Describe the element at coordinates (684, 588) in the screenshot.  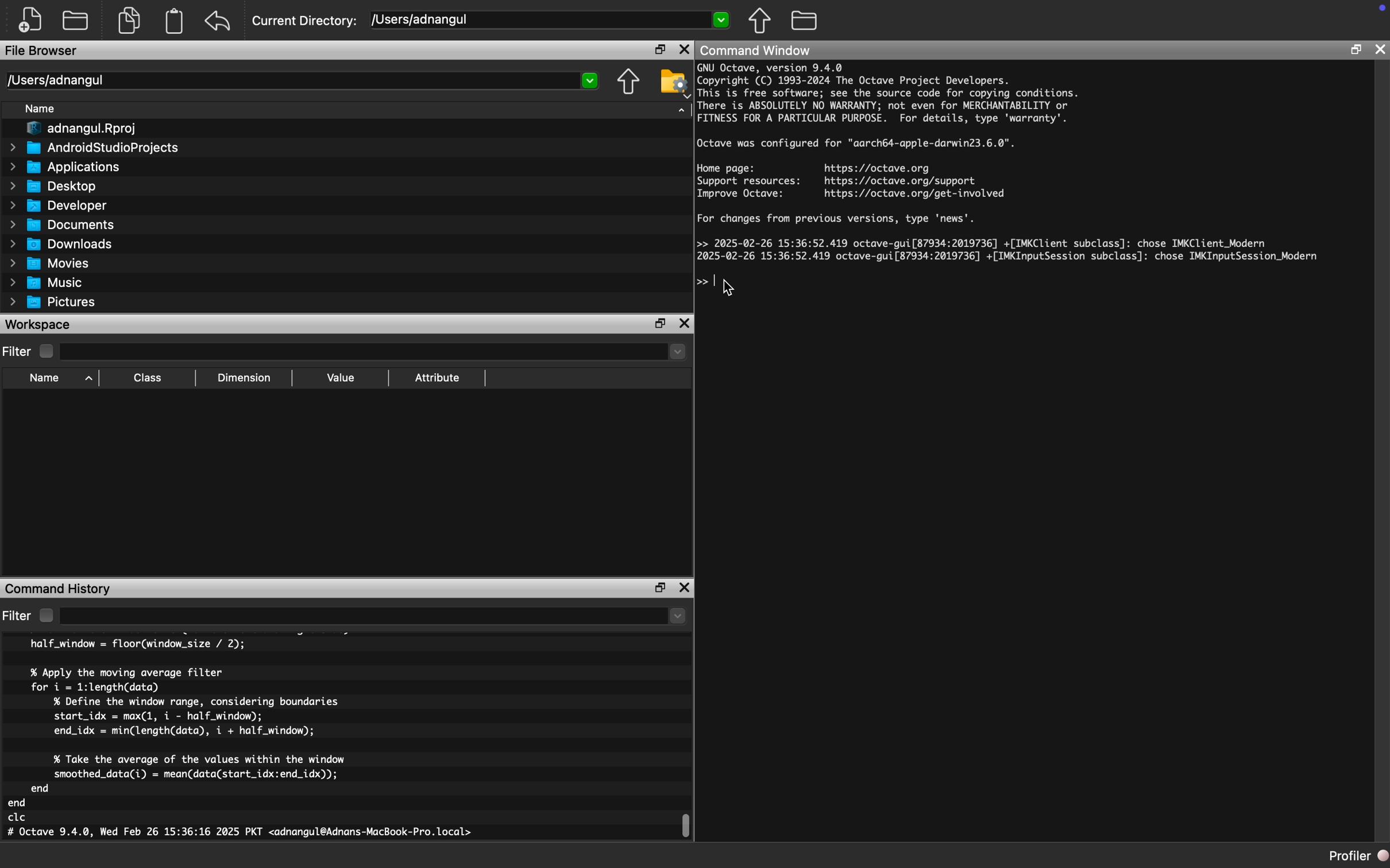
I see `Close` at that location.